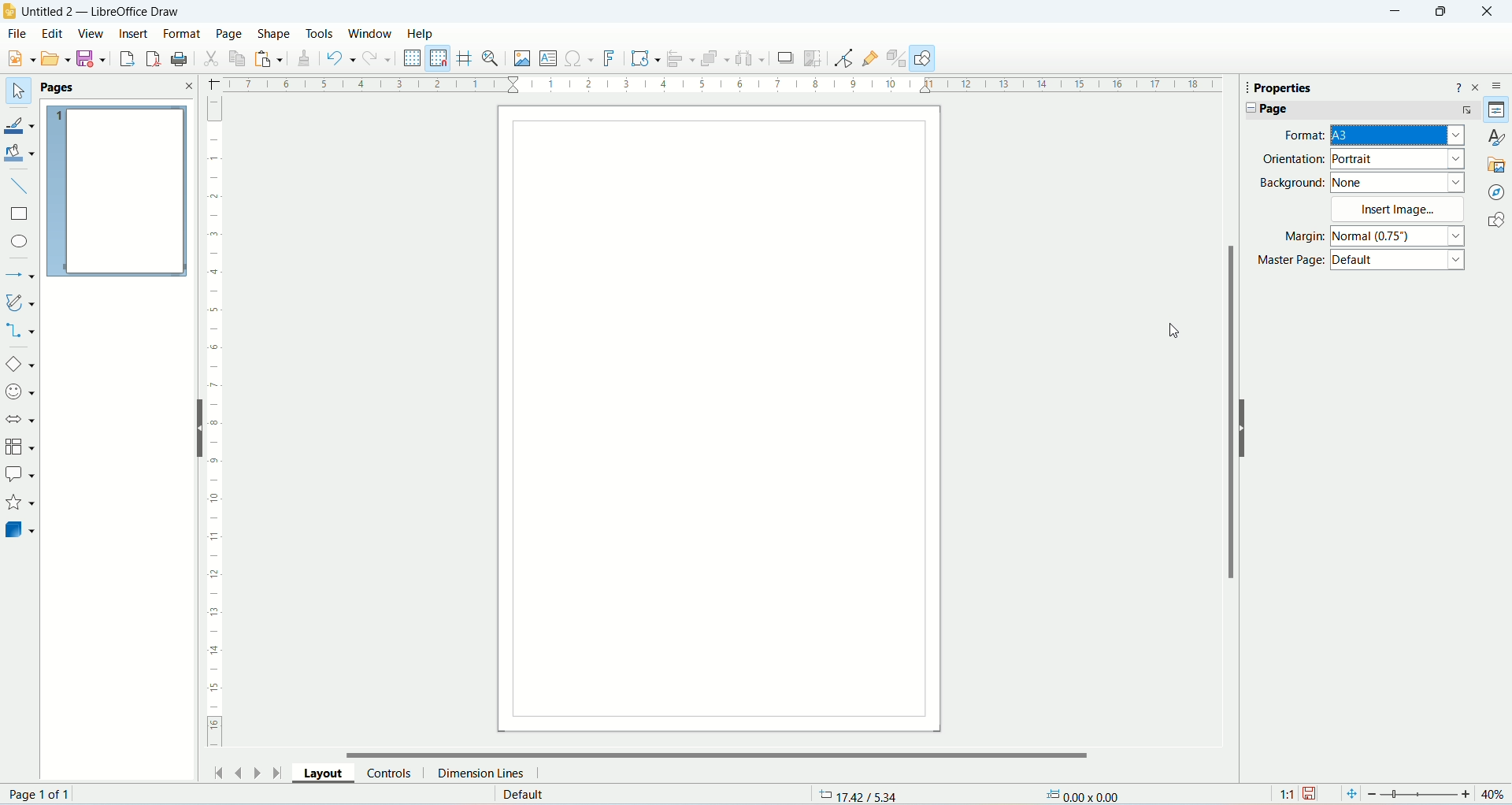 This screenshot has height=805, width=1512. I want to click on previous page, so click(237, 770).